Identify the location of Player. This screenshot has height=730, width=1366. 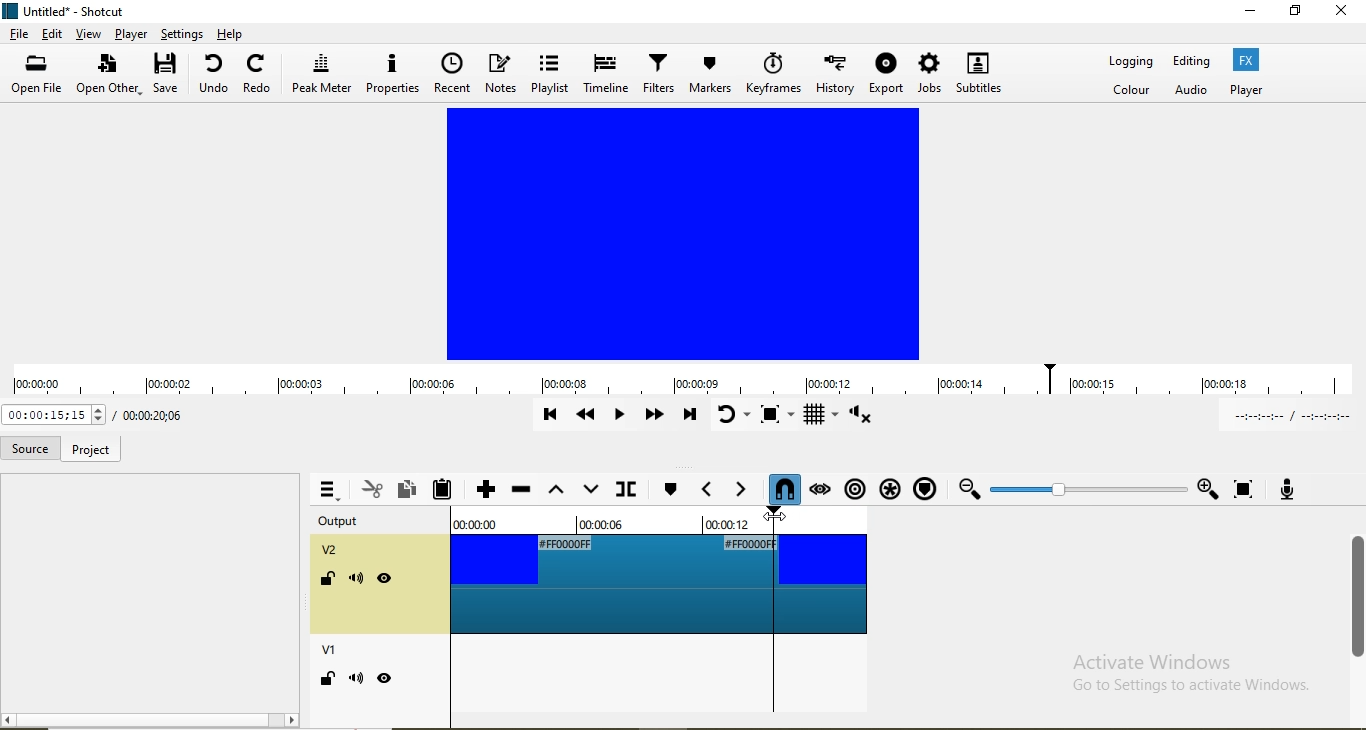
(1246, 89).